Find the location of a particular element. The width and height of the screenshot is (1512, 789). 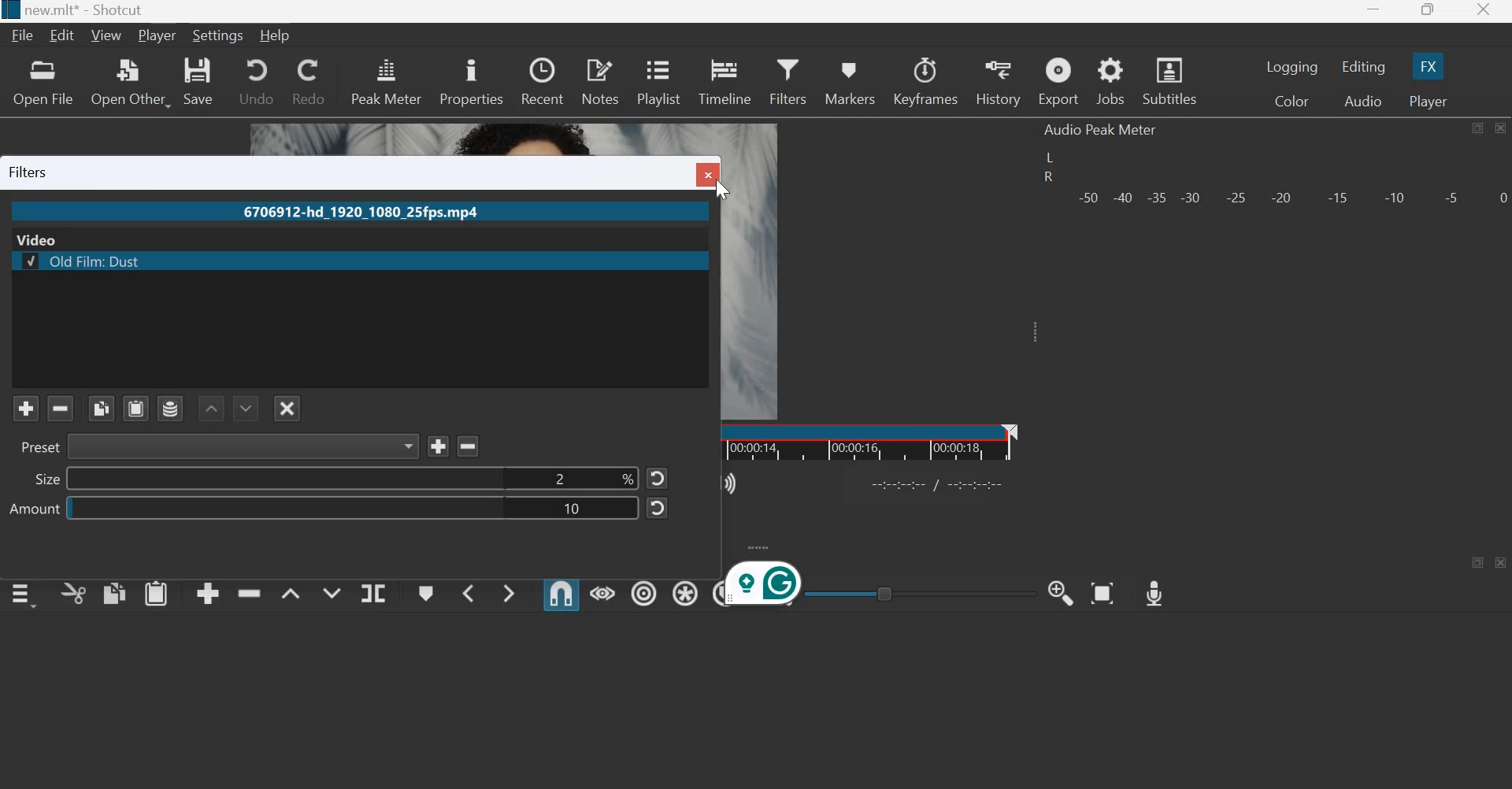

Logging is located at coordinates (1293, 67).